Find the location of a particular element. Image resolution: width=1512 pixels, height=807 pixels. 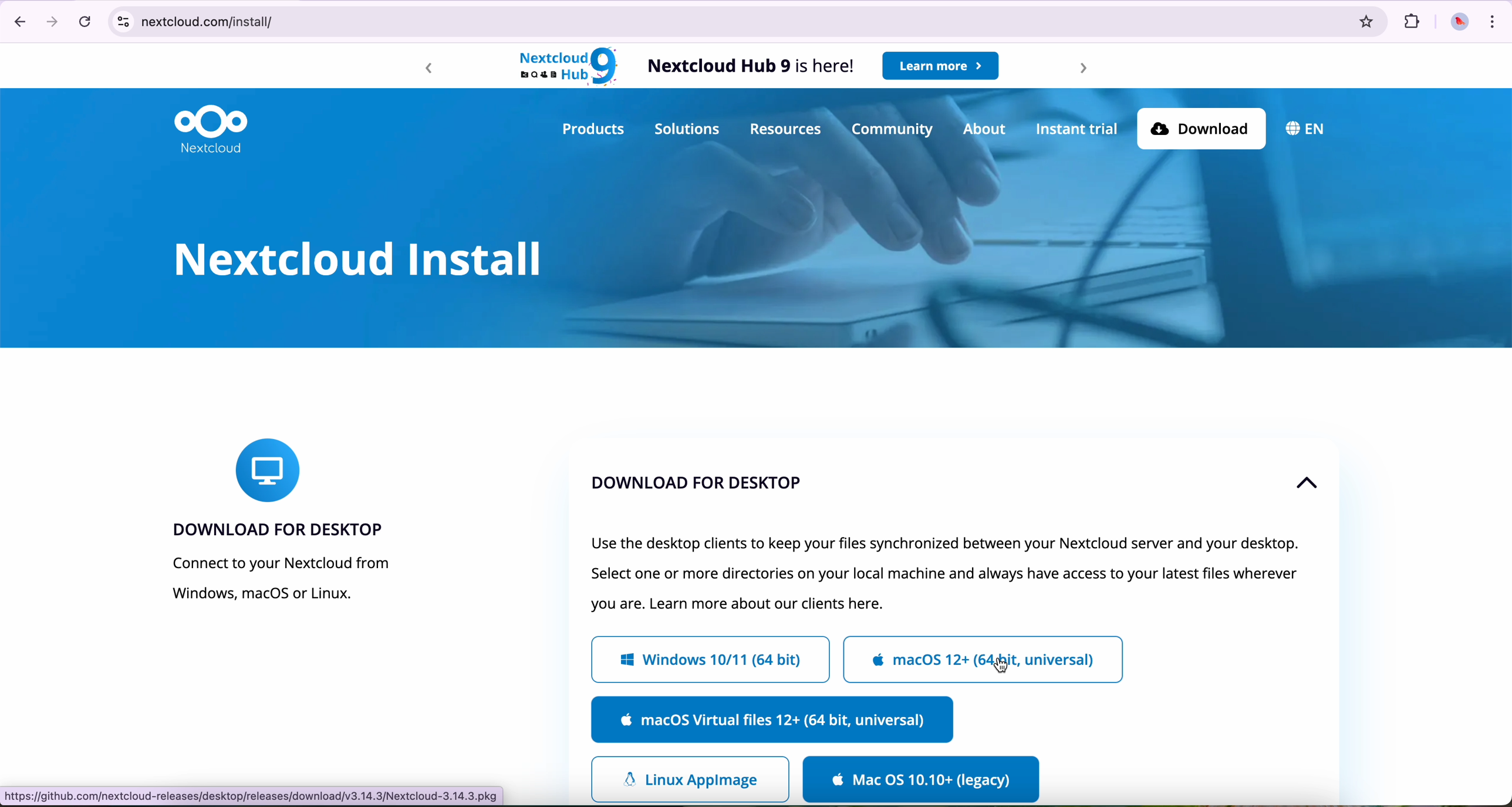

navigate back is located at coordinates (18, 21).